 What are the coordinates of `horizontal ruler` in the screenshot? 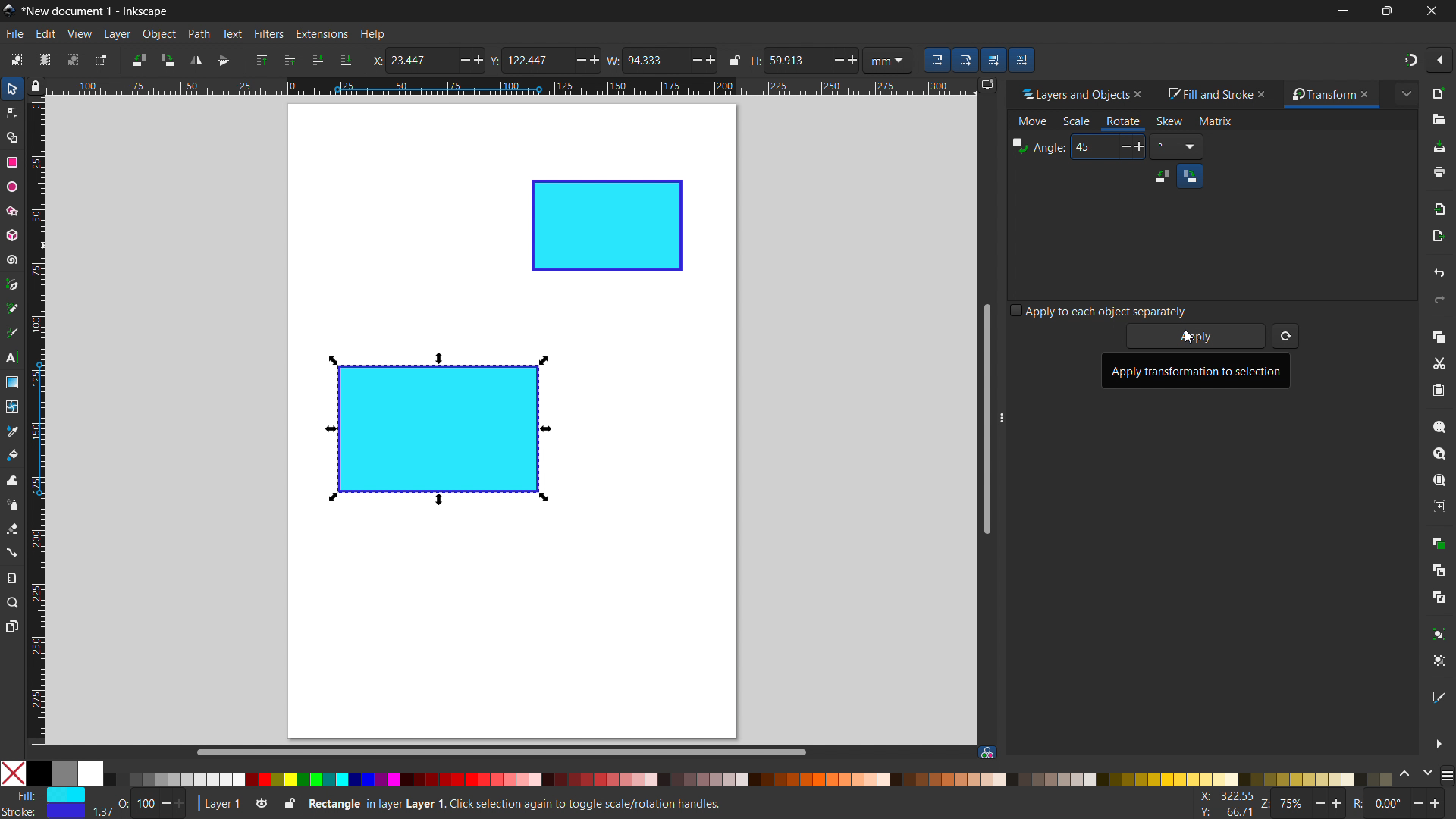 It's located at (510, 88).